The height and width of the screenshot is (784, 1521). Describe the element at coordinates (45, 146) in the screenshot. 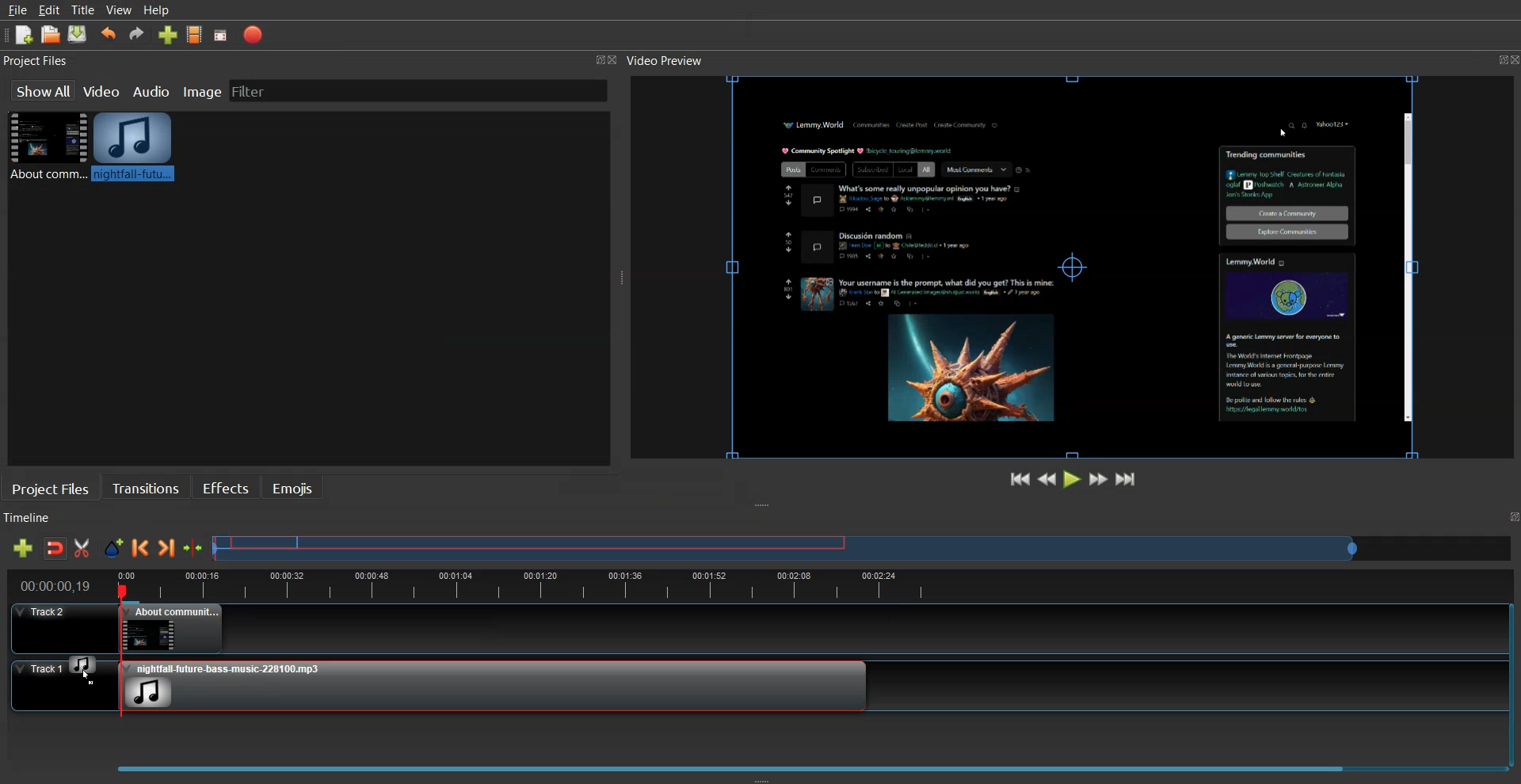

I see `Video File` at that location.